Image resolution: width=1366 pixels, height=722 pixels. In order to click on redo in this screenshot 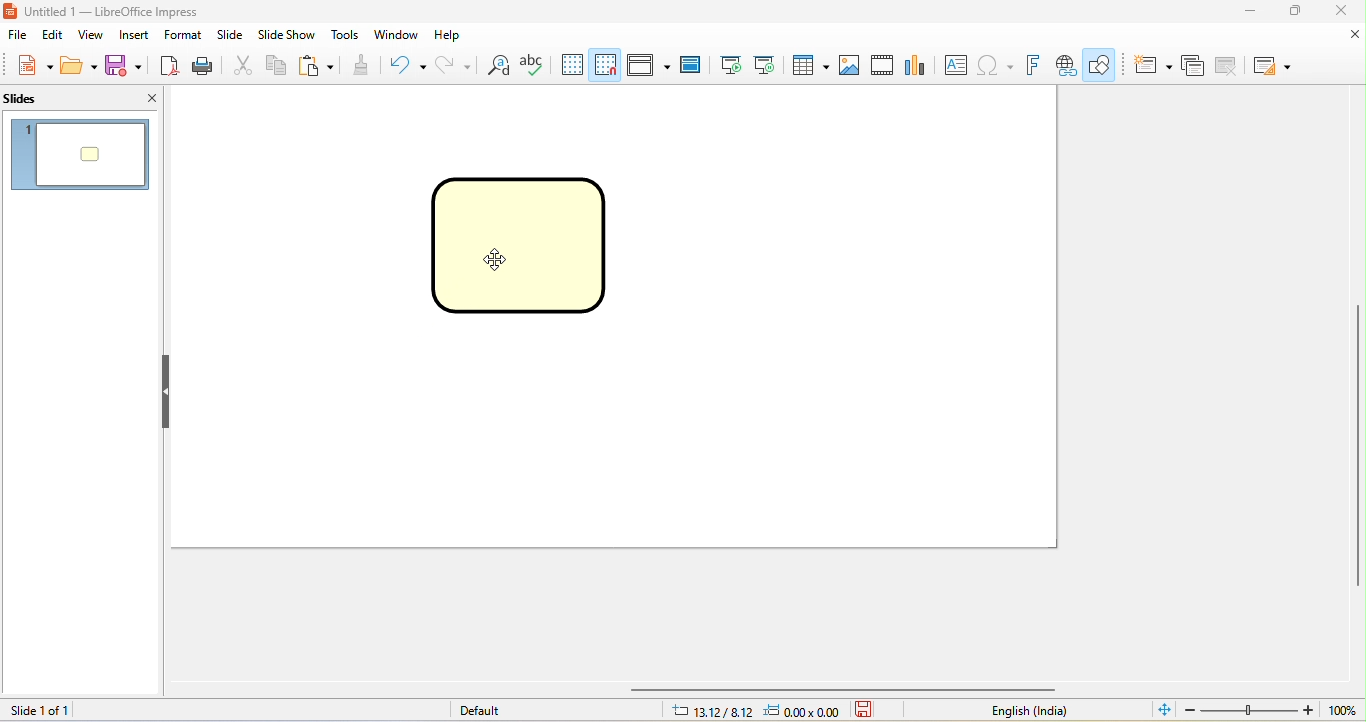, I will do `click(450, 64)`.